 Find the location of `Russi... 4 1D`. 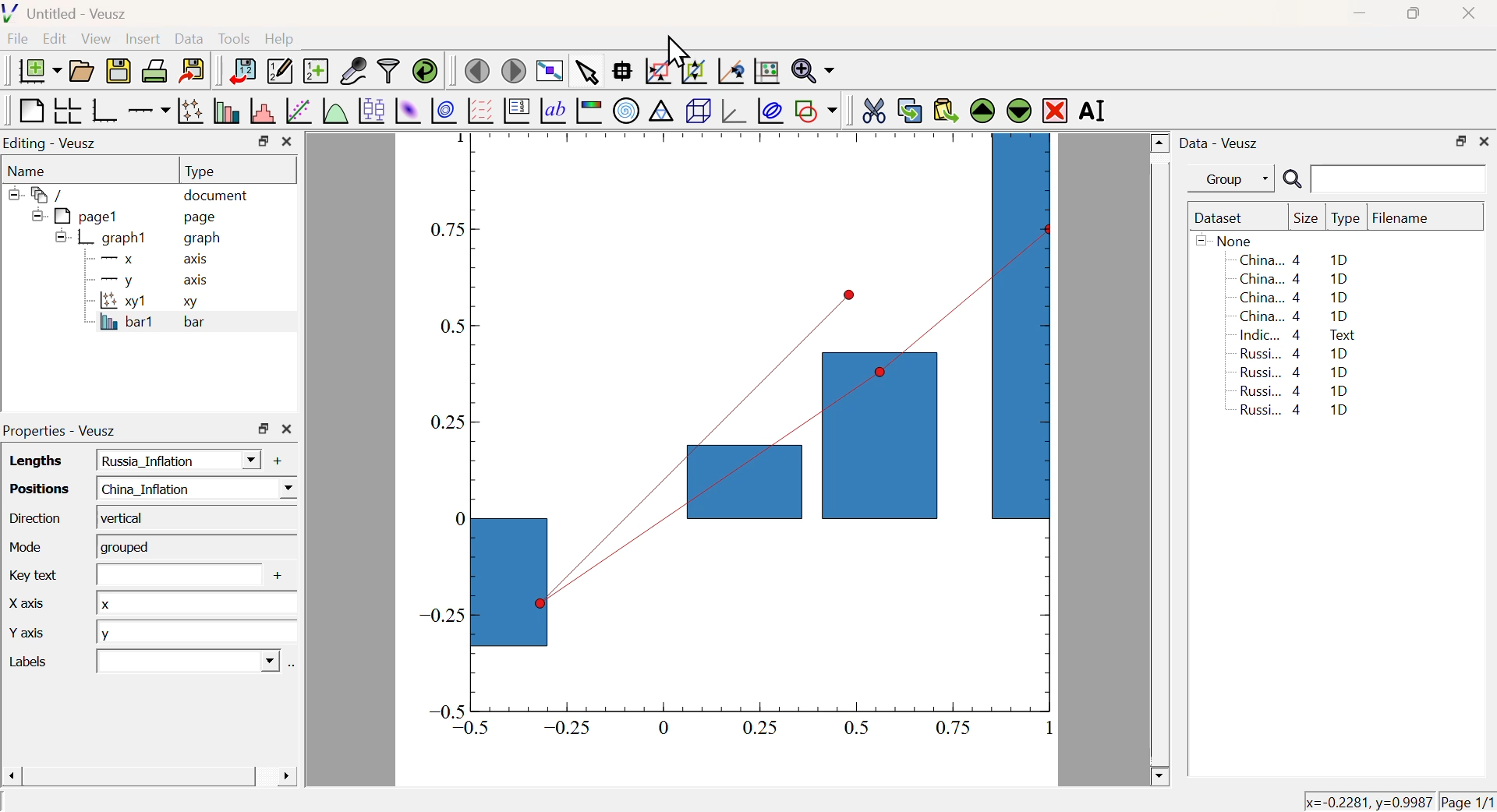

Russi... 4 1D is located at coordinates (1297, 411).